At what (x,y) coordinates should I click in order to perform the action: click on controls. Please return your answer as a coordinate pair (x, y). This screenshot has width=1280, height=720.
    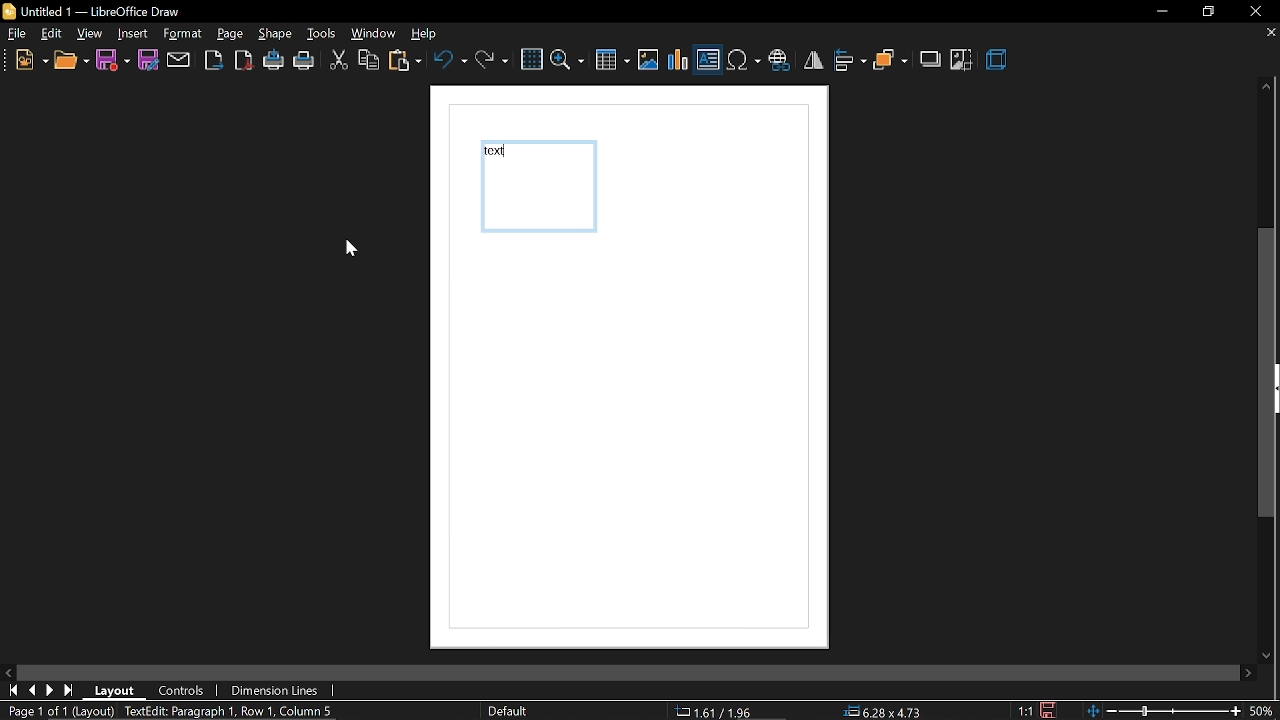
    Looking at the image, I should click on (182, 692).